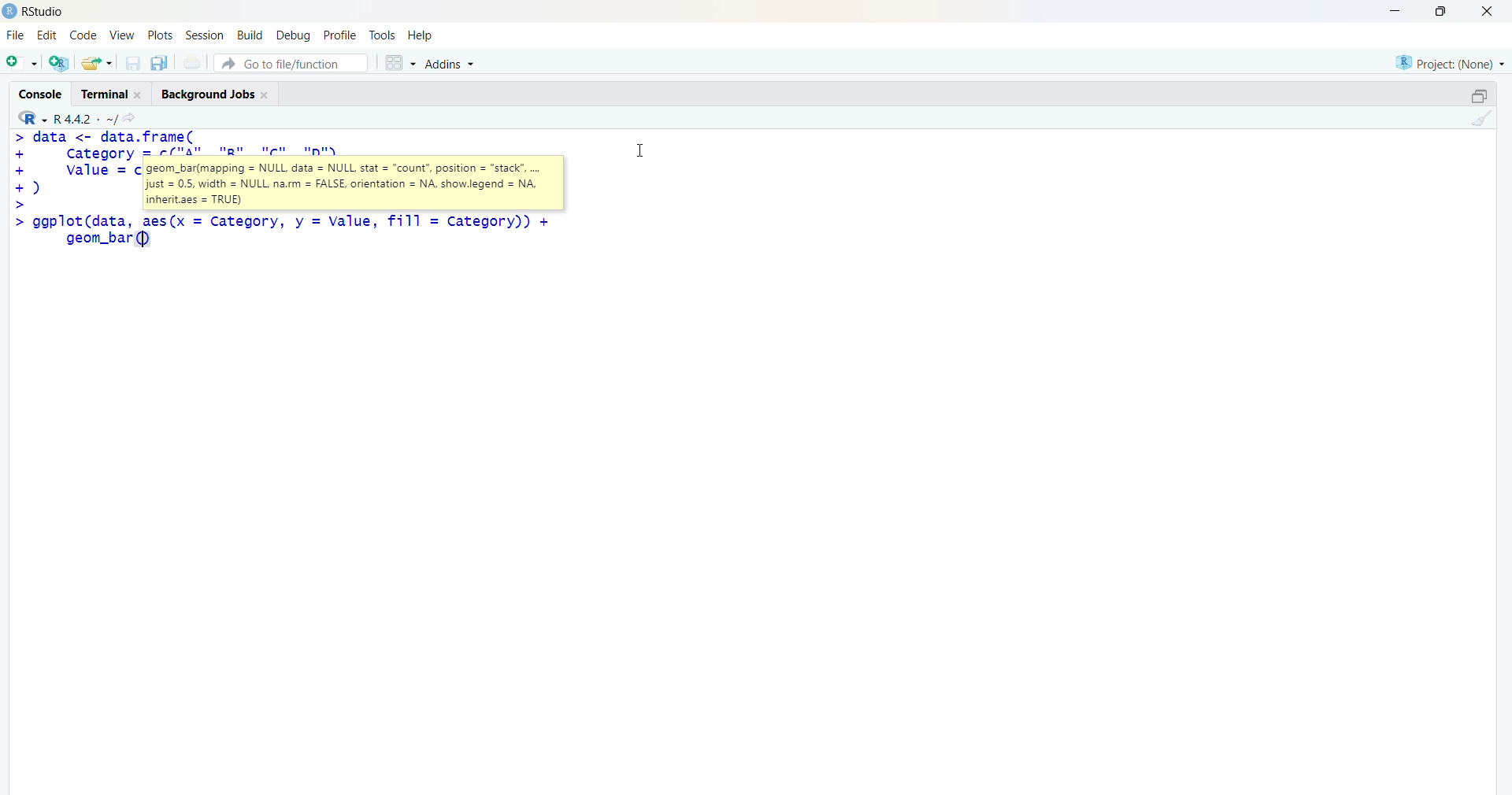 The image size is (1512, 795). Describe the element at coordinates (44, 92) in the screenshot. I see `Console` at that location.